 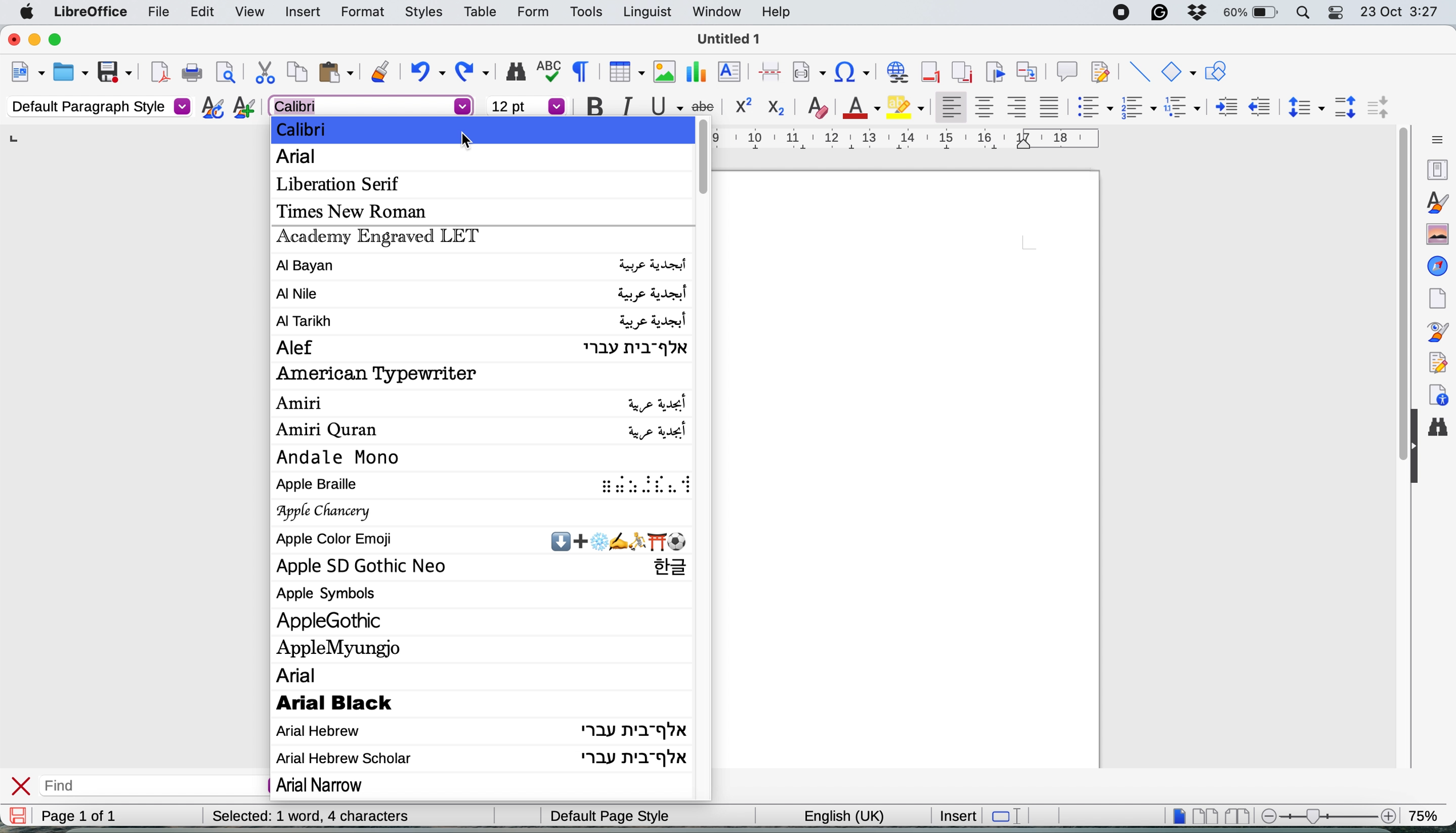 What do you see at coordinates (590, 105) in the screenshot?
I see `bold` at bounding box center [590, 105].